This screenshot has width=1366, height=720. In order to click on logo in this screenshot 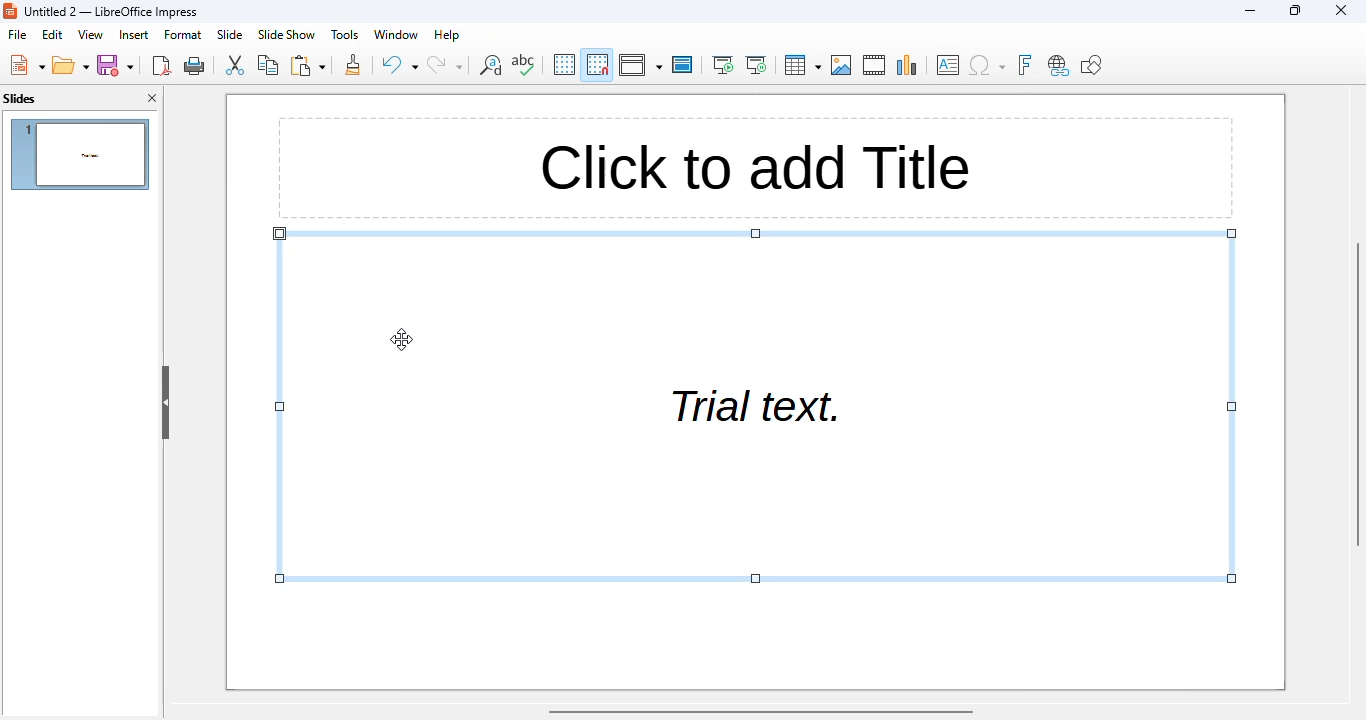, I will do `click(10, 12)`.